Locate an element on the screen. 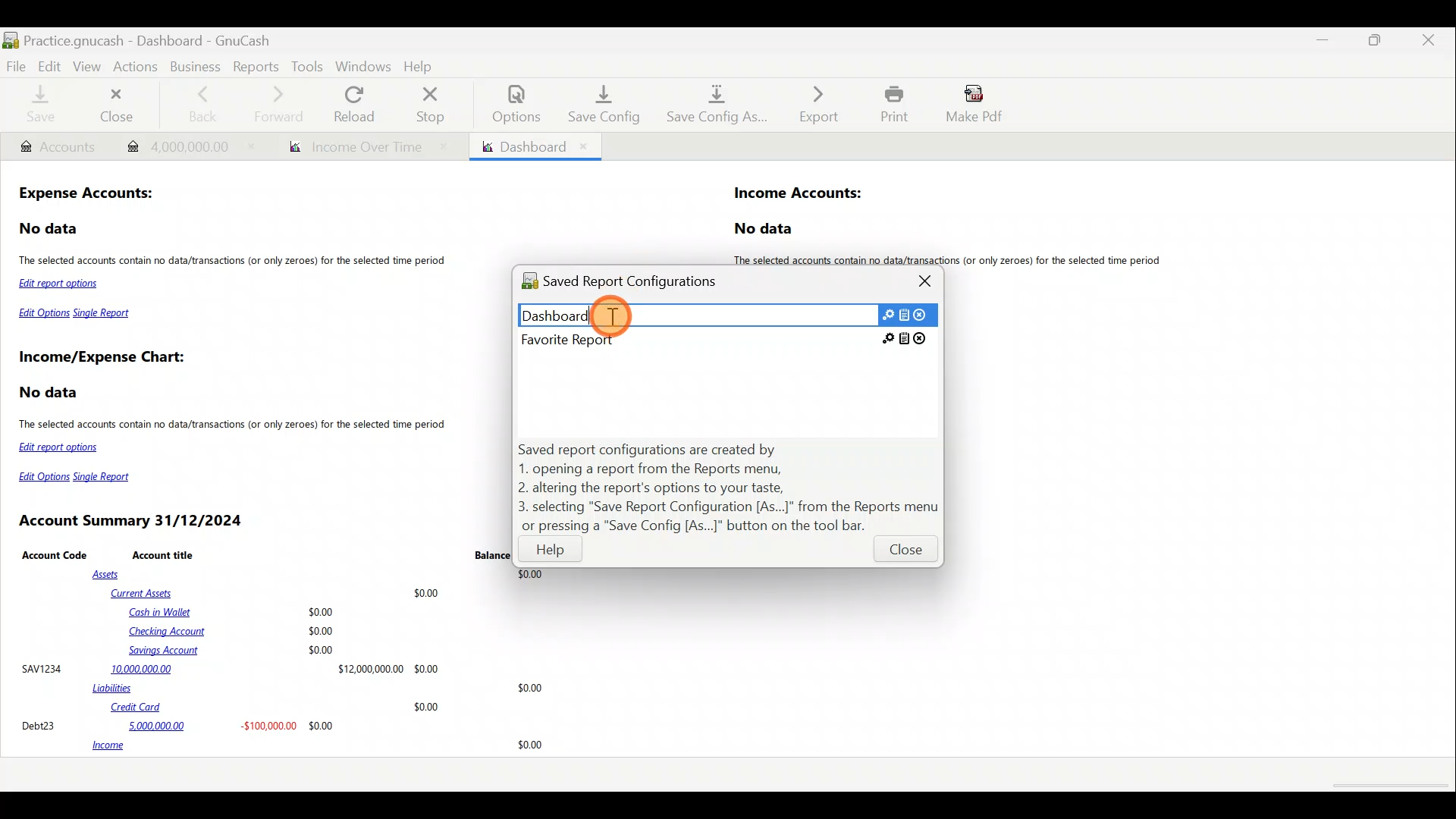  Options is located at coordinates (509, 104).